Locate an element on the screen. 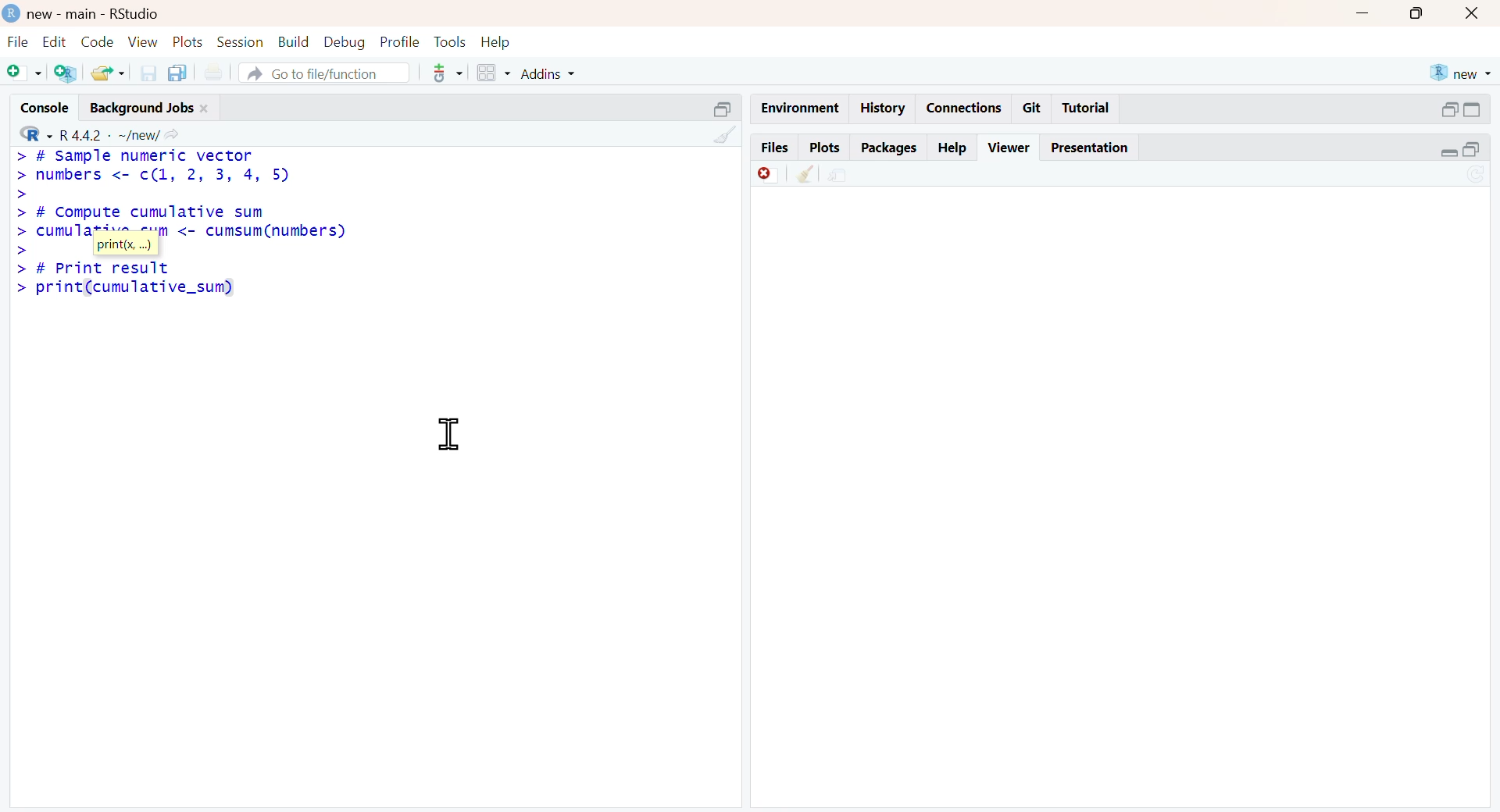  sync is located at coordinates (1477, 175).